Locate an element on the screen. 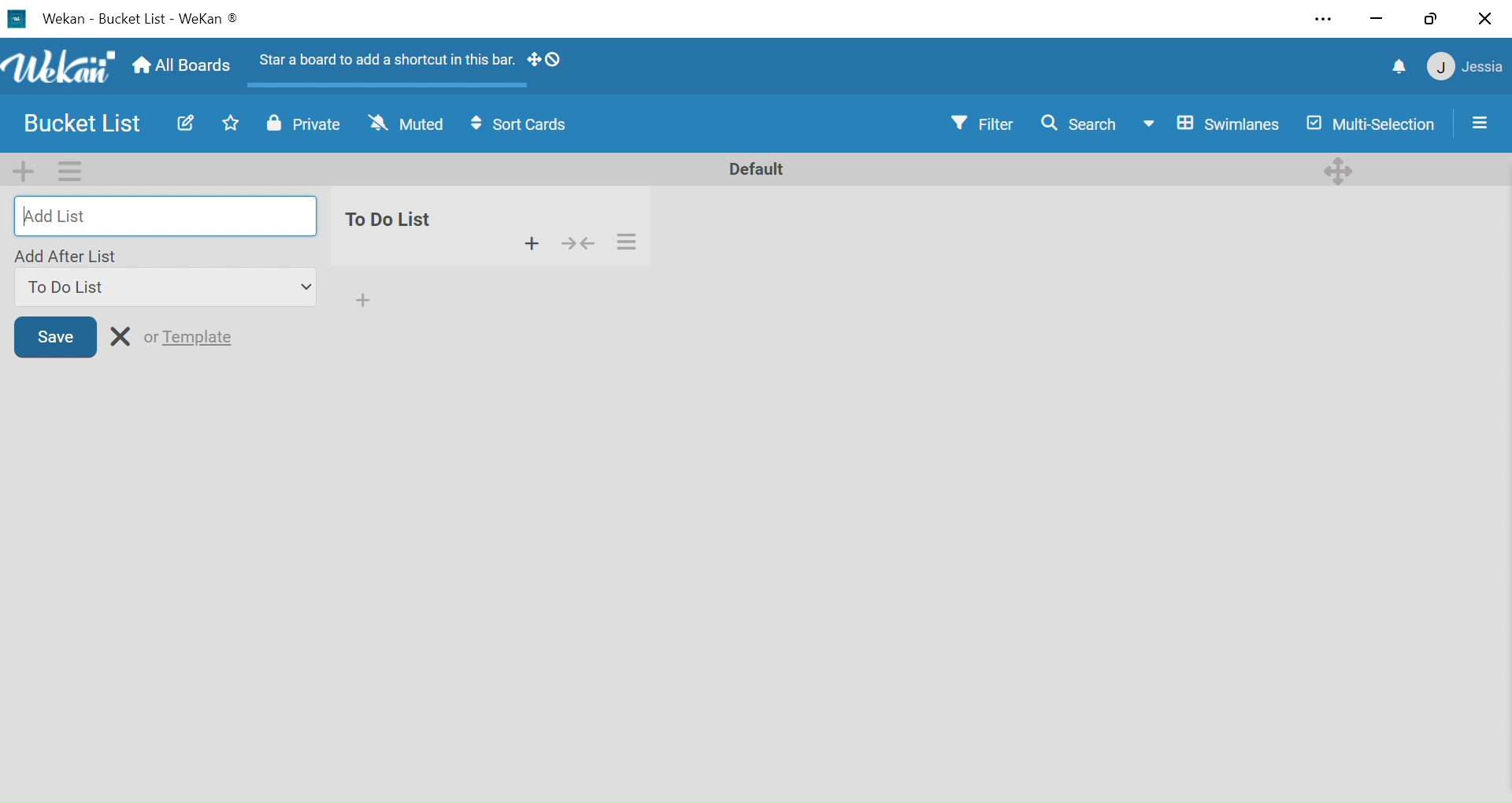  Add card to bottom of the list is located at coordinates (362, 300).